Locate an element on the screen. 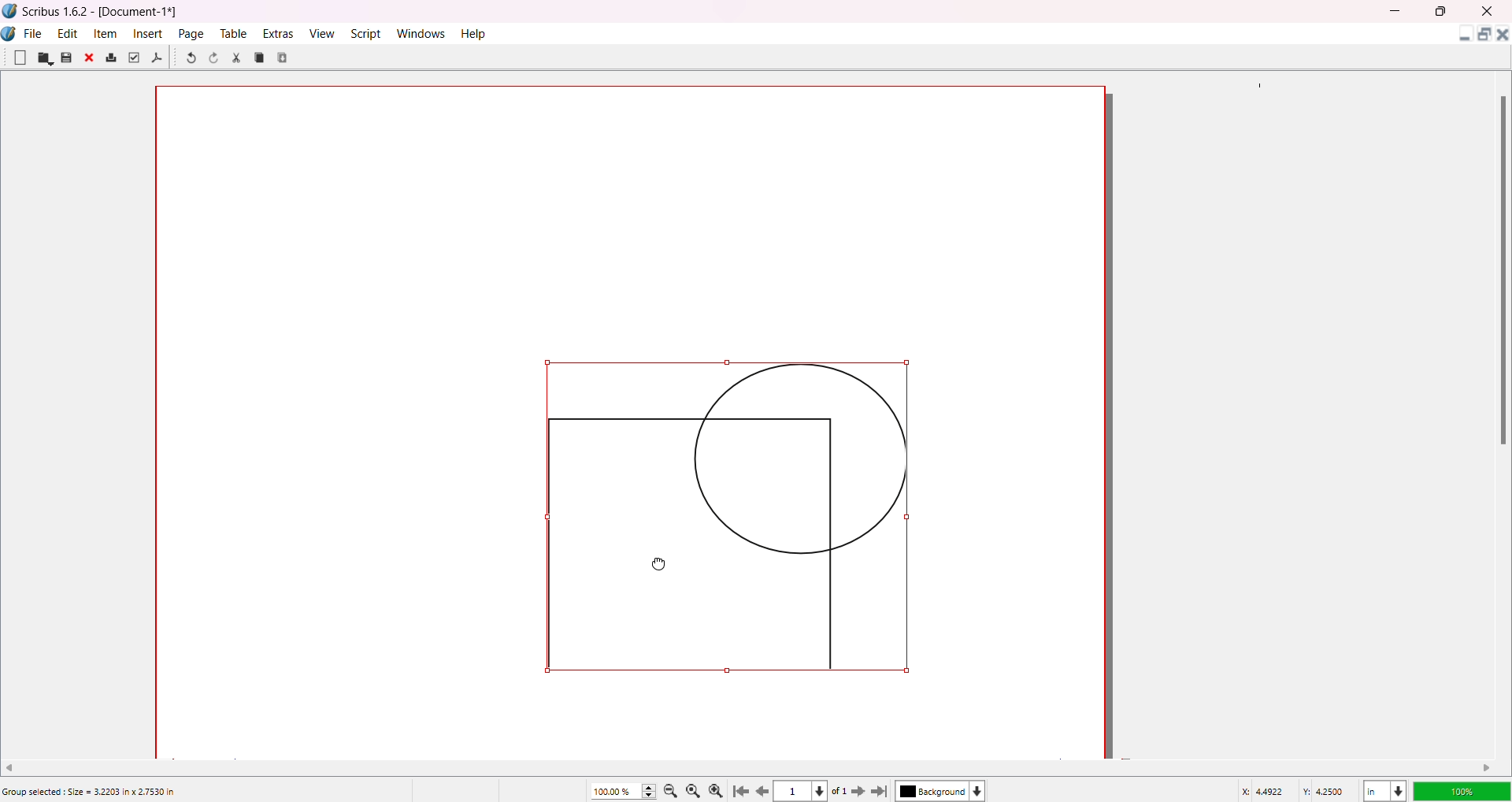  Open is located at coordinates (45, 58).